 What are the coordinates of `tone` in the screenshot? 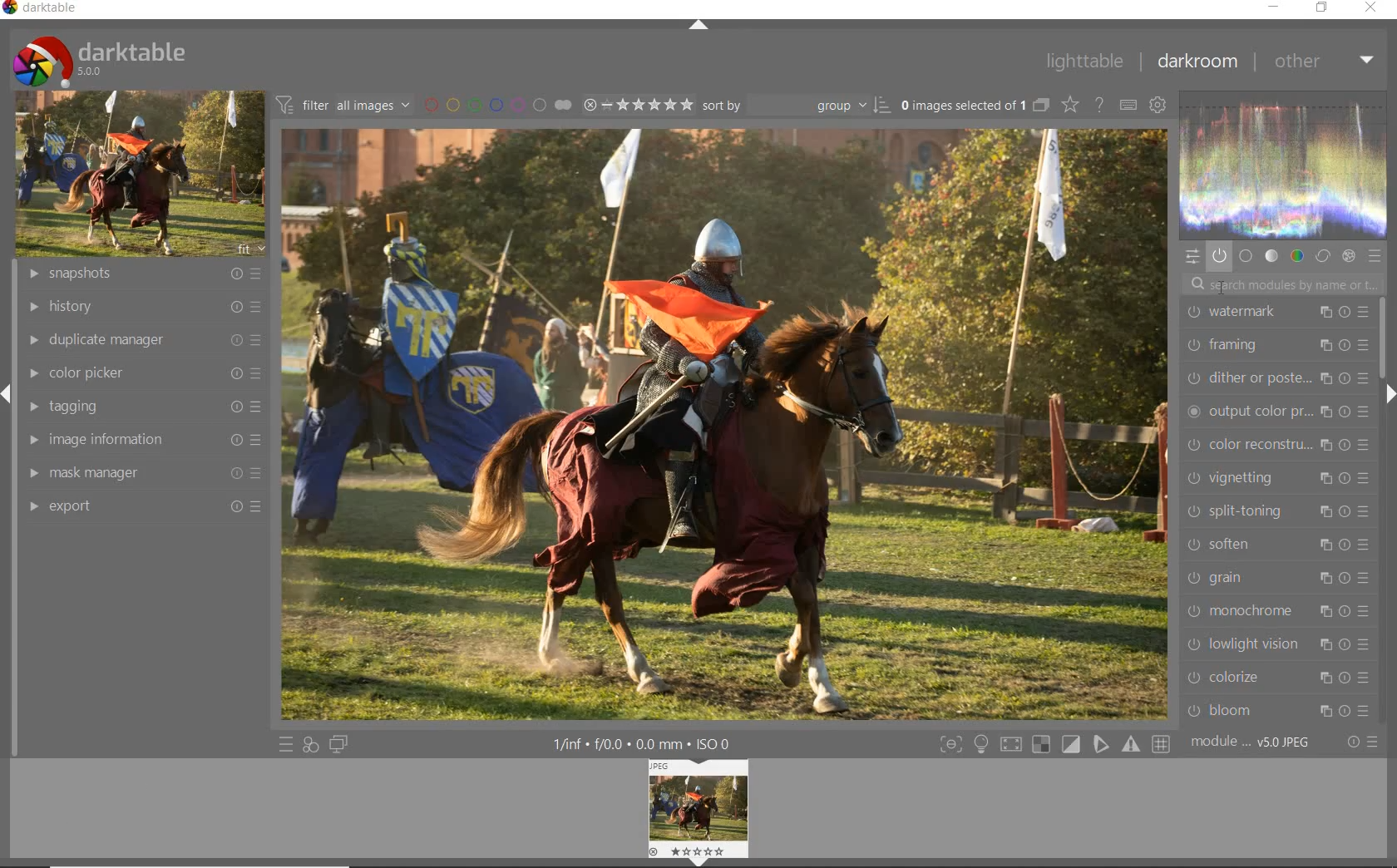 It's located at (1272, 256).